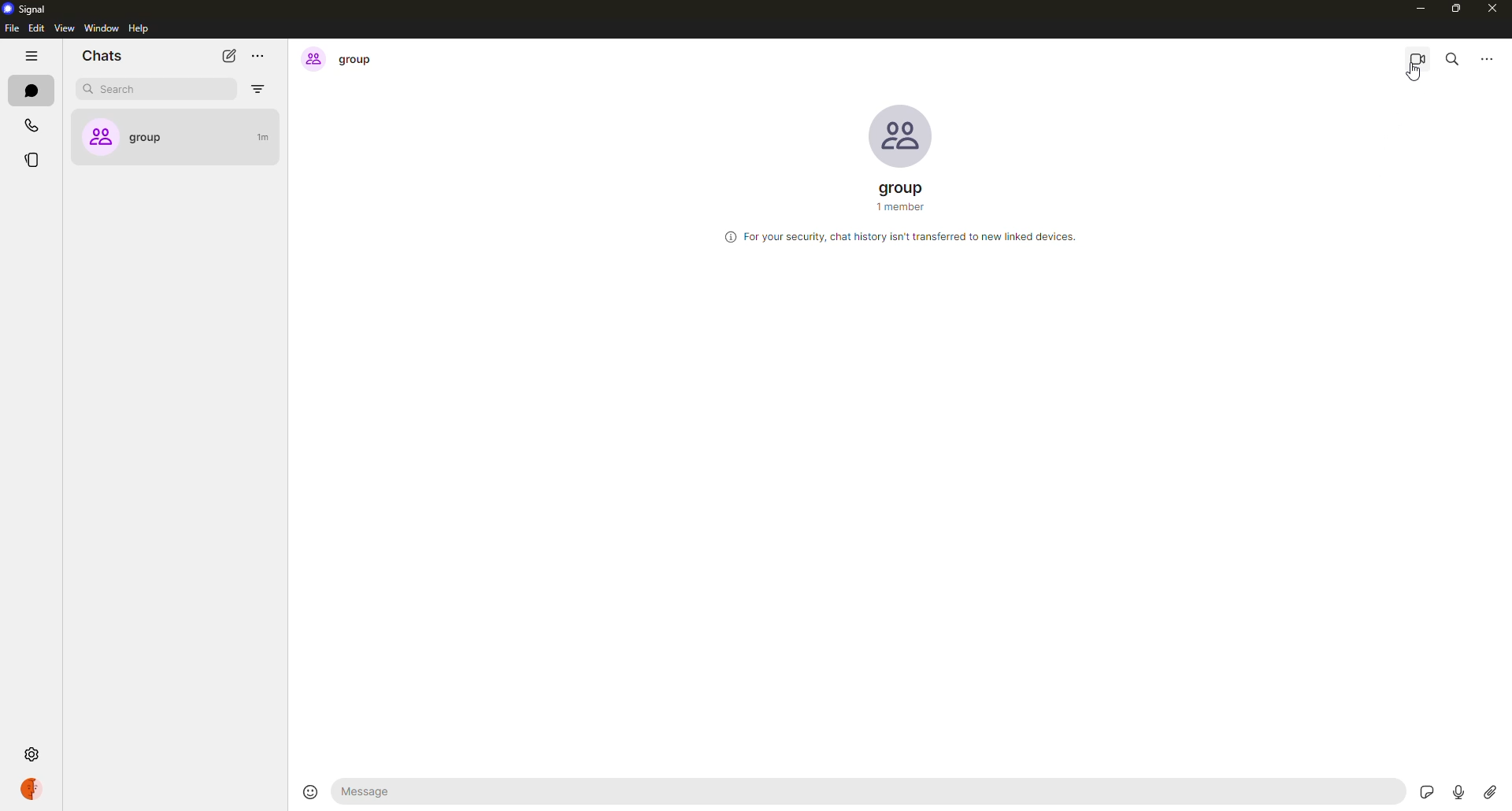  What do you see at coordinates (304, 791) in the screenshot?
I see `emoji` at bounding box center [304, 791].